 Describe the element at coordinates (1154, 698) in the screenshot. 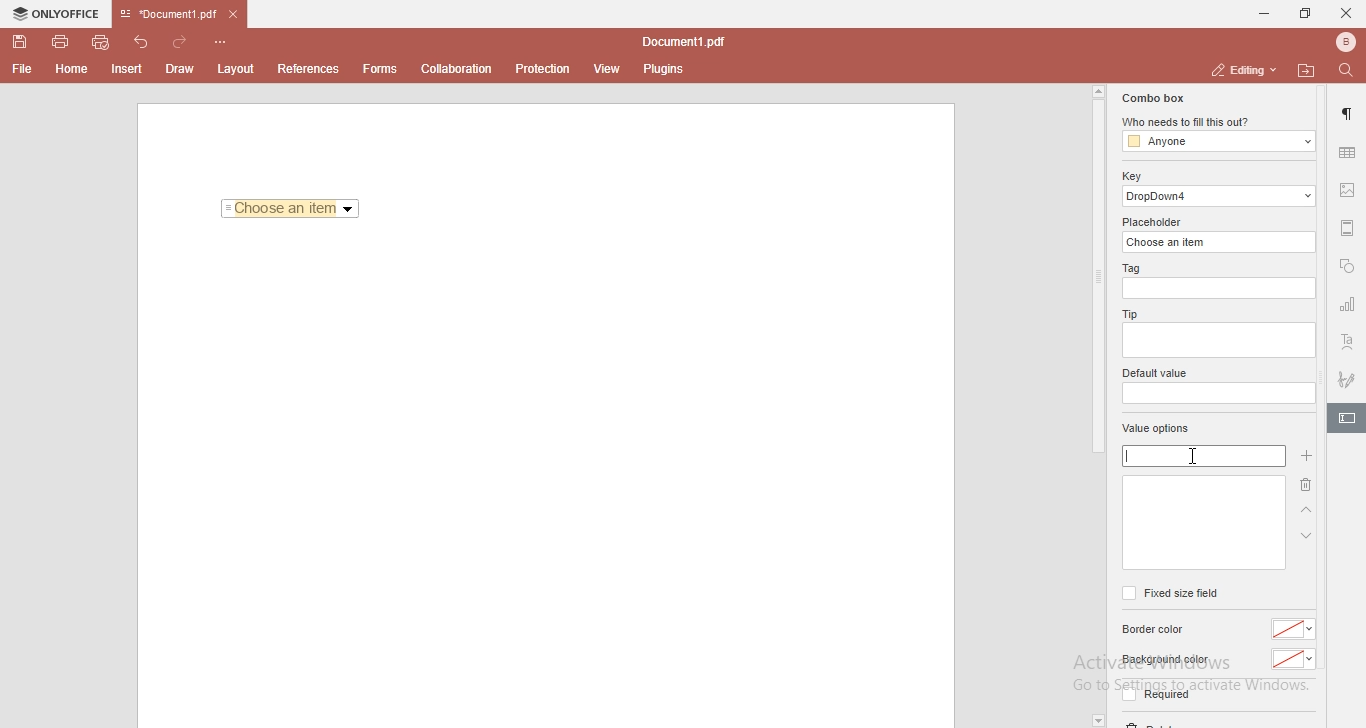

I see `required` at that location.